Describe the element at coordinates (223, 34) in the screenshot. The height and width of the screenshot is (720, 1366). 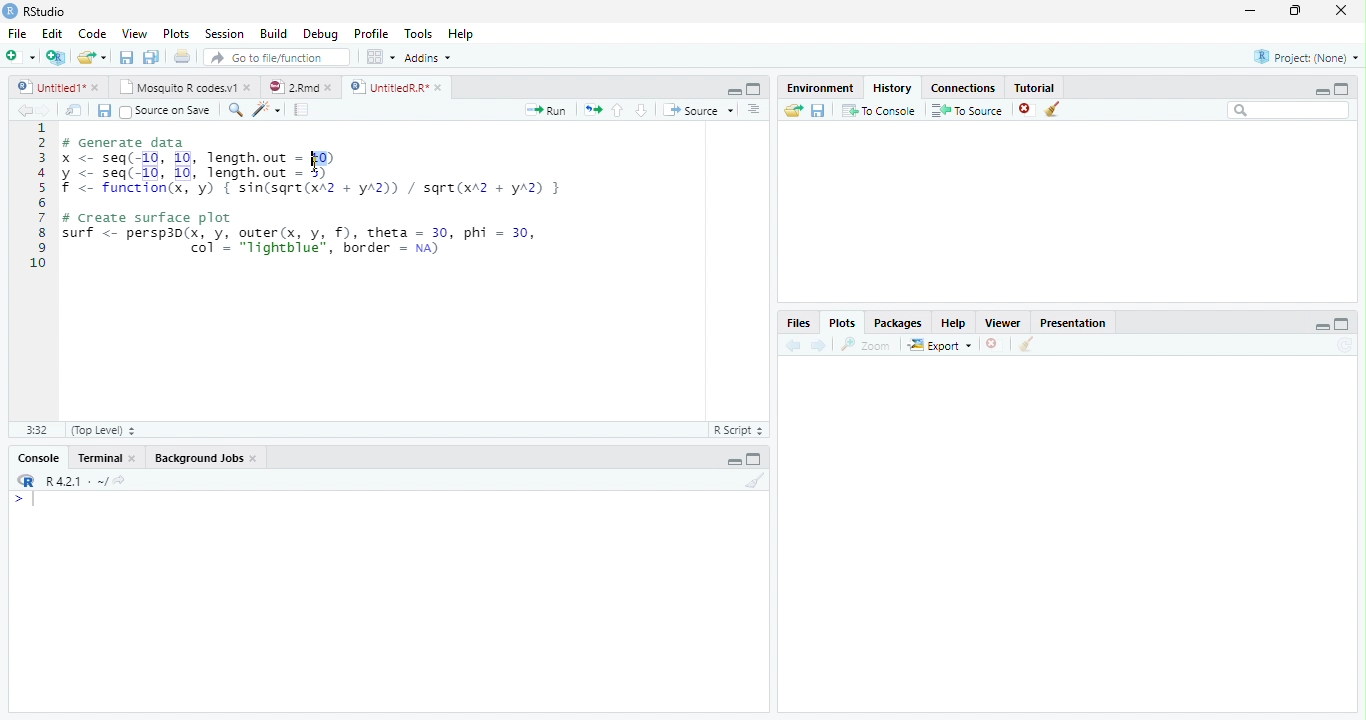
I see `Session` at that location.